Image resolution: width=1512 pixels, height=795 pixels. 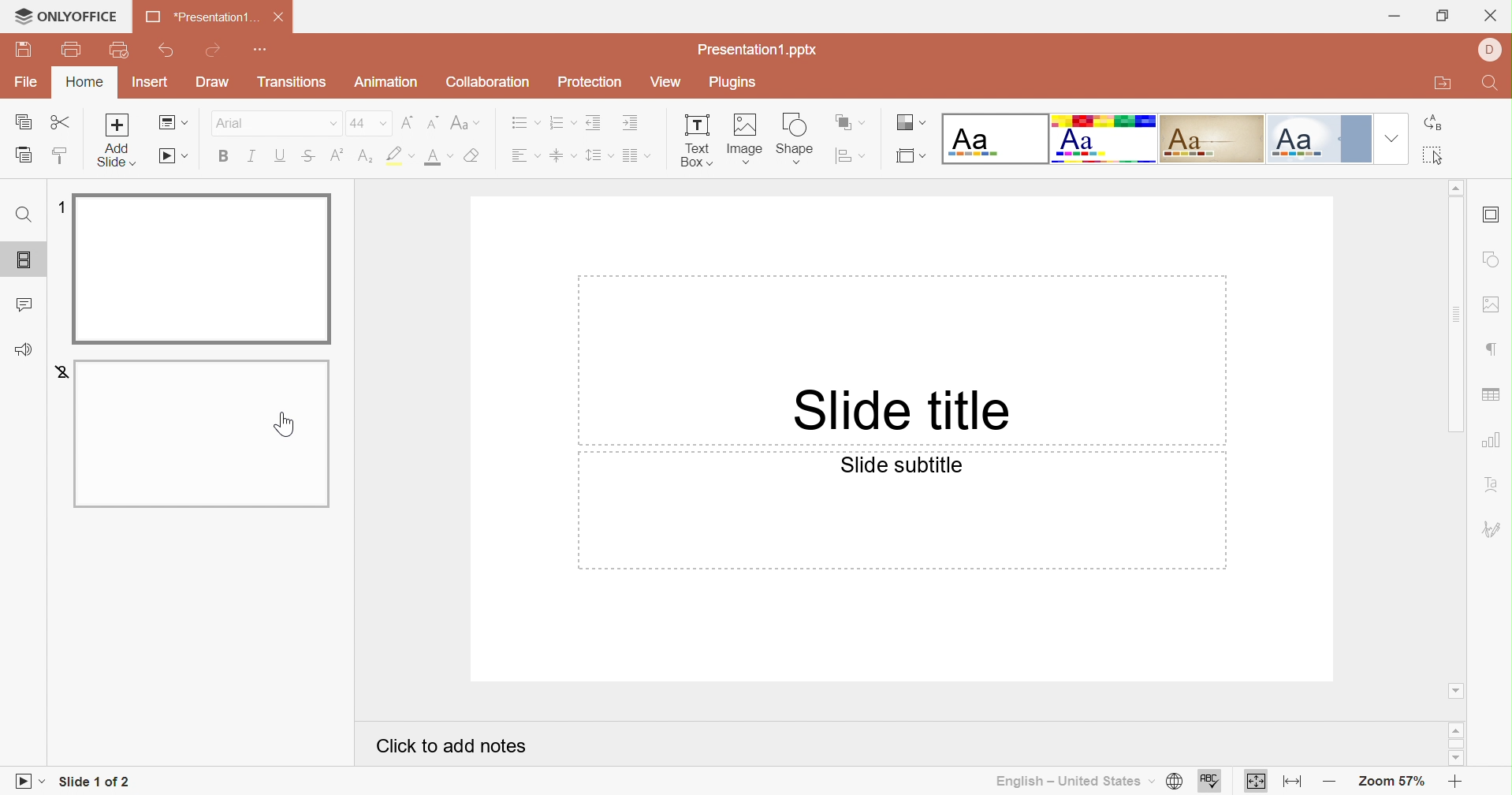 What do you see at coordinates (1456, 730) in the screenshot?
I see `Scroll up` at bounding box center [1456, 730].